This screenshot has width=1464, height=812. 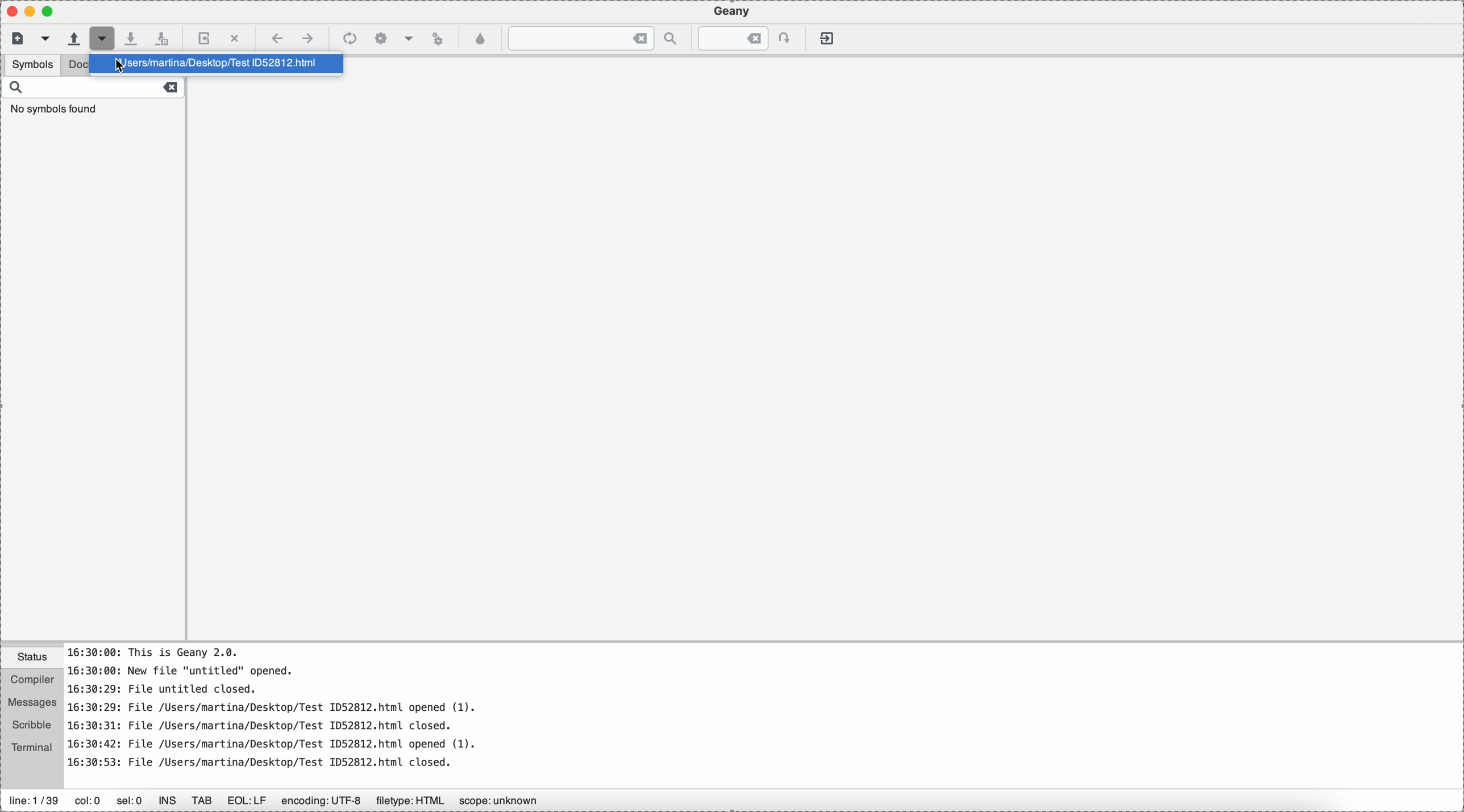 I want to click on new file, so click(x=15, y=39).